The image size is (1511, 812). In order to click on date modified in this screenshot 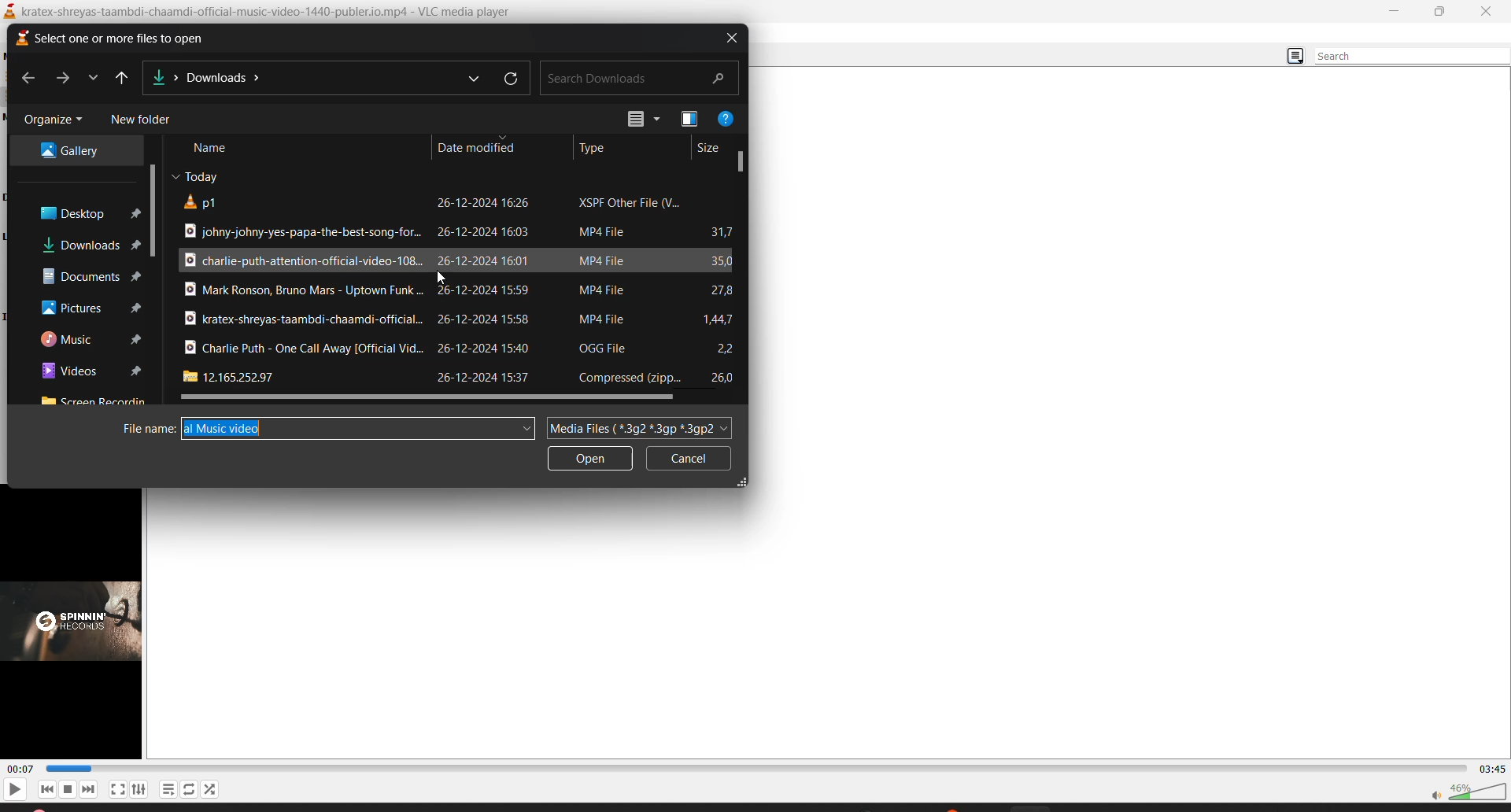, I will do `click(490, 321)`.